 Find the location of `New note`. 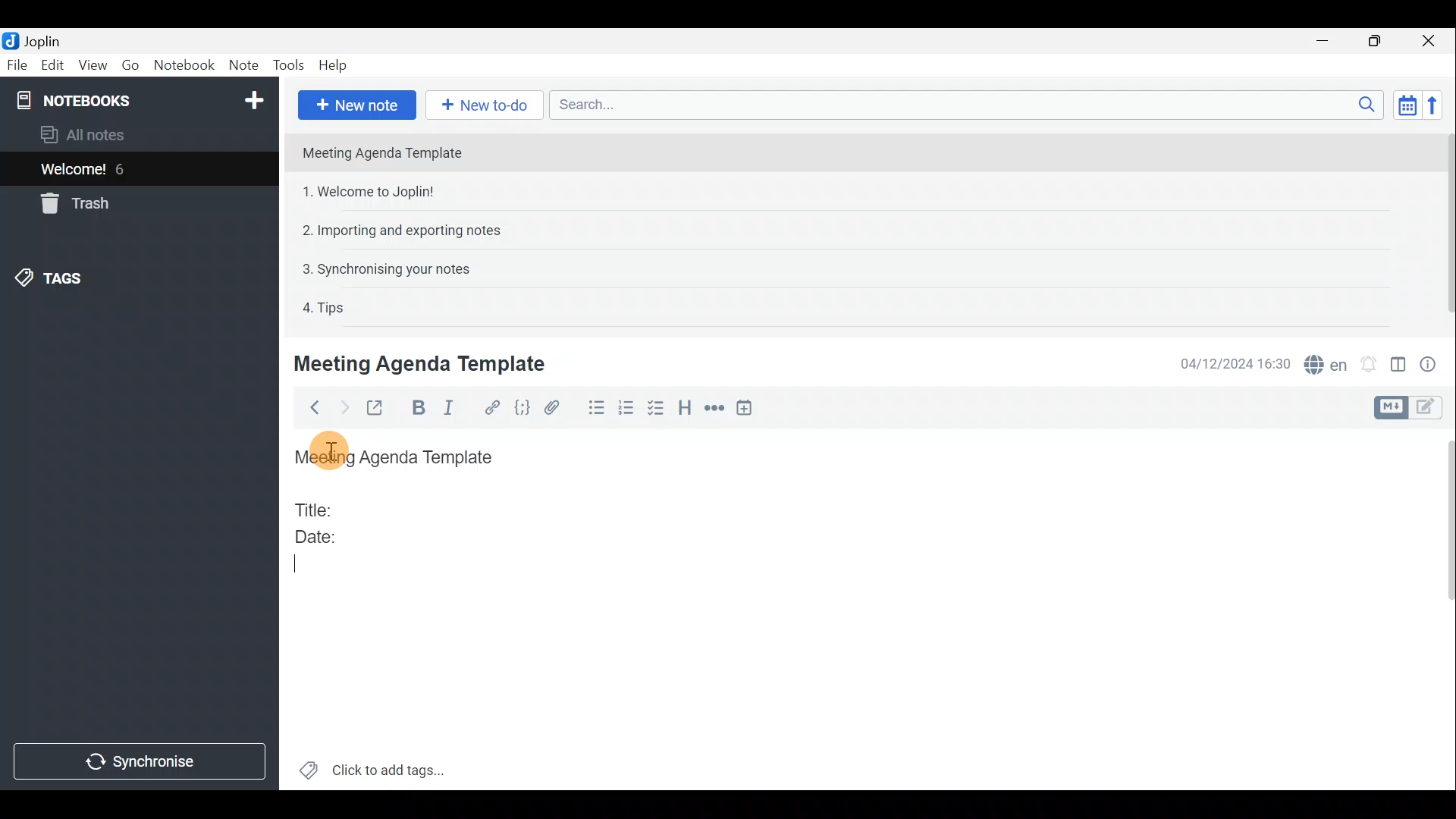

New note is located at coordinates (357, 105).